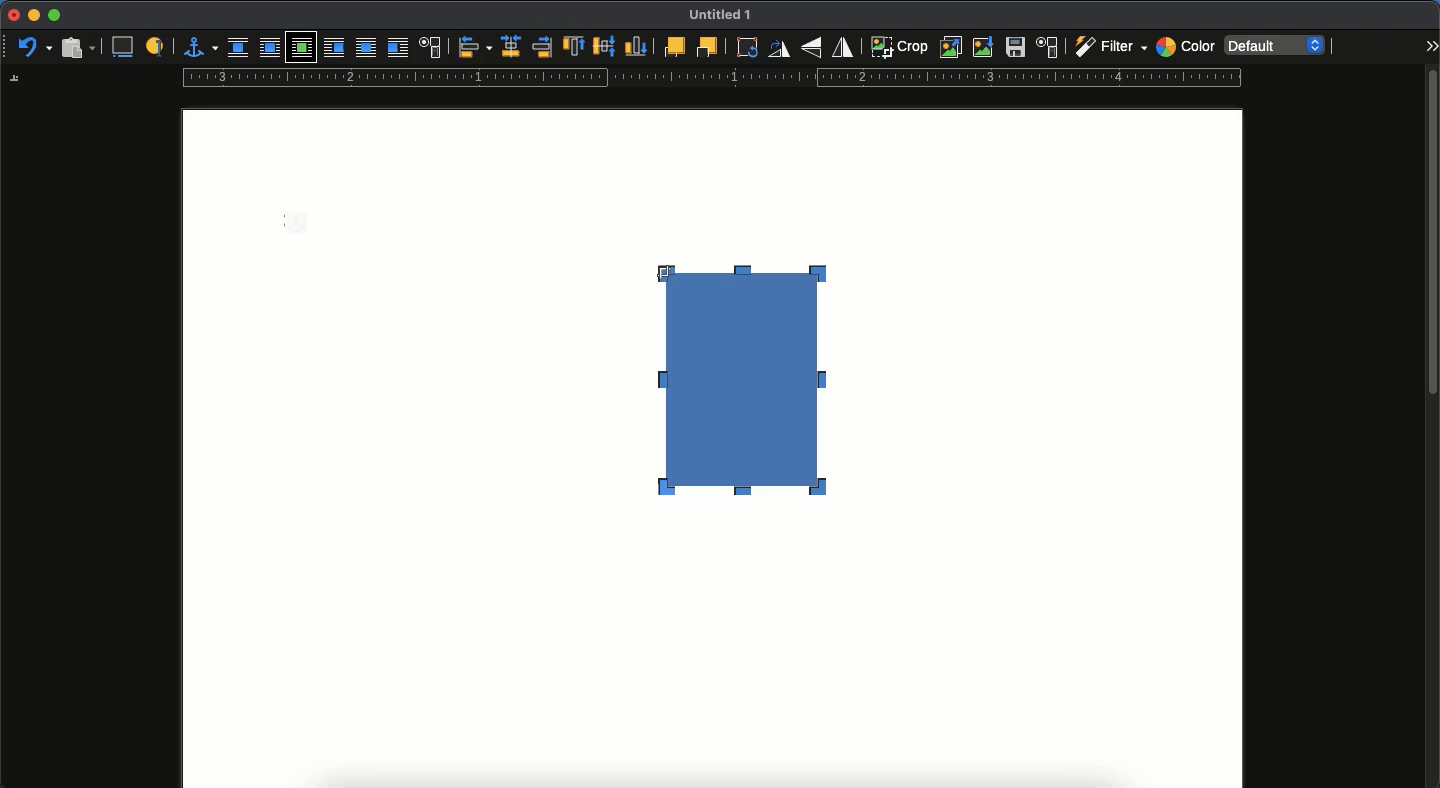  I want to click on anchor for object, so click(200, 46).